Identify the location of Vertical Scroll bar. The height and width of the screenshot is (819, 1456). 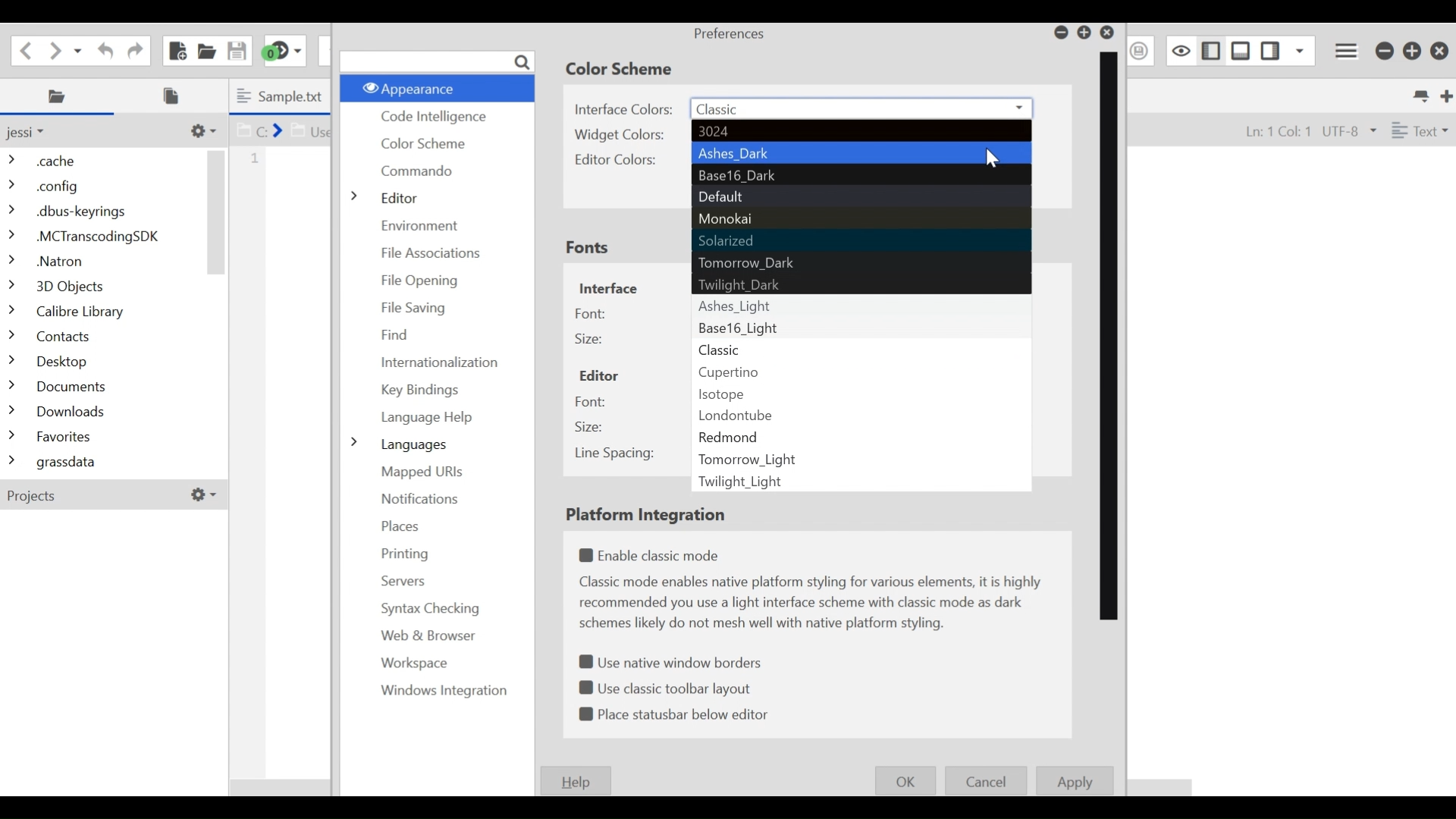
(1109, 336).